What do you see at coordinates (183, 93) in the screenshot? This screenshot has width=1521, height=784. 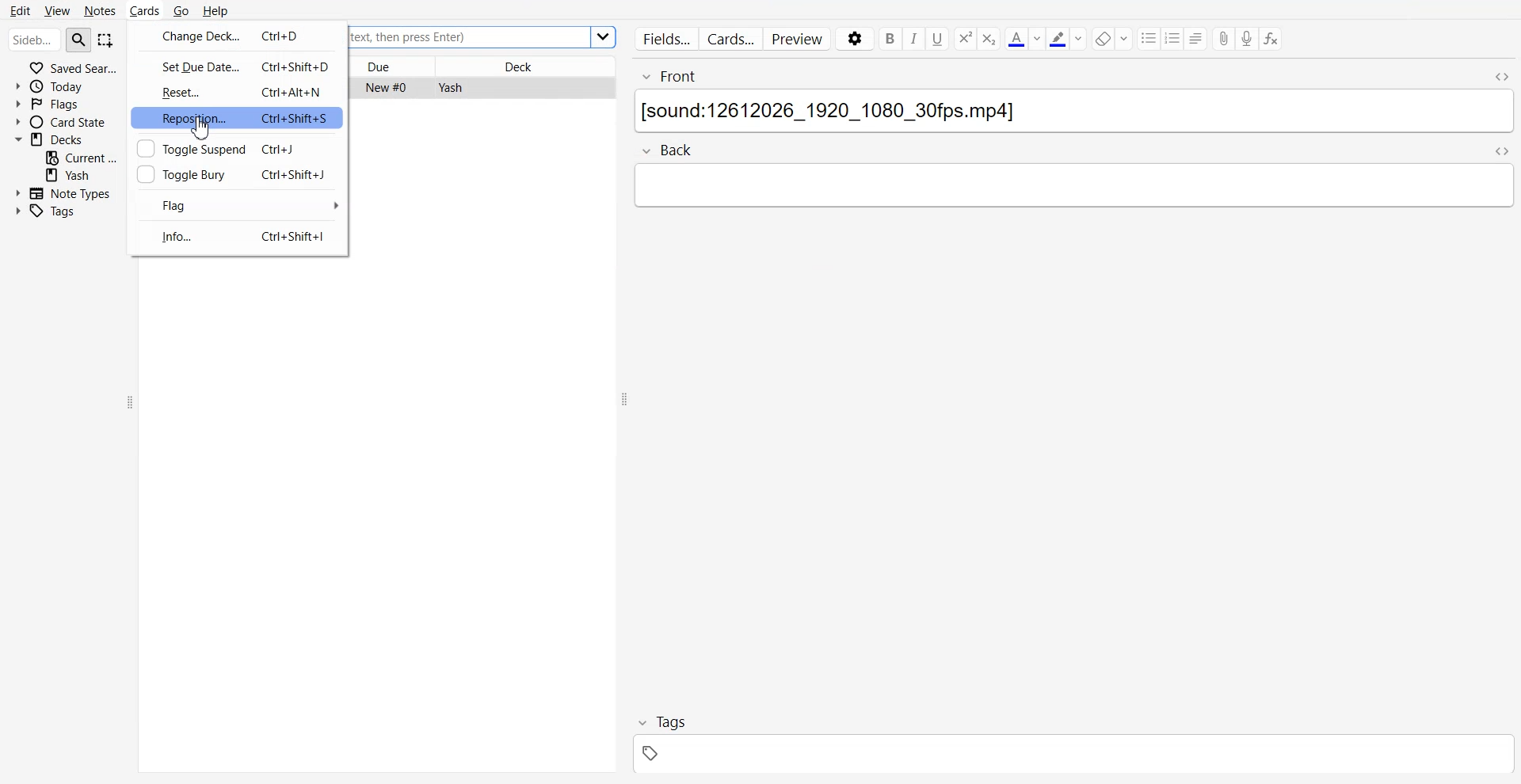 I see `Reset ` at bounding box center [183, 93].